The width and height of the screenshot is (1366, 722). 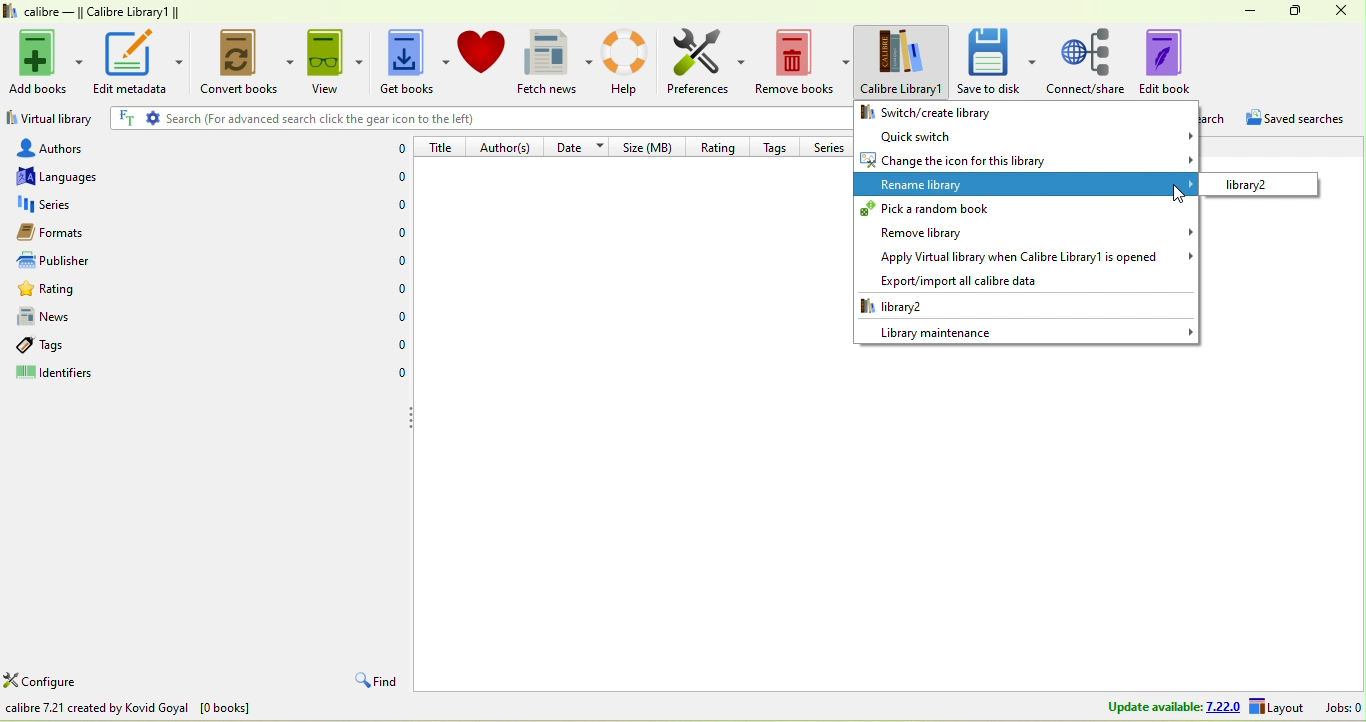 What do you see at coordinates (1023, 209) in the screenshot?
I see `pick a random book` at bounding box center [1023, 209].